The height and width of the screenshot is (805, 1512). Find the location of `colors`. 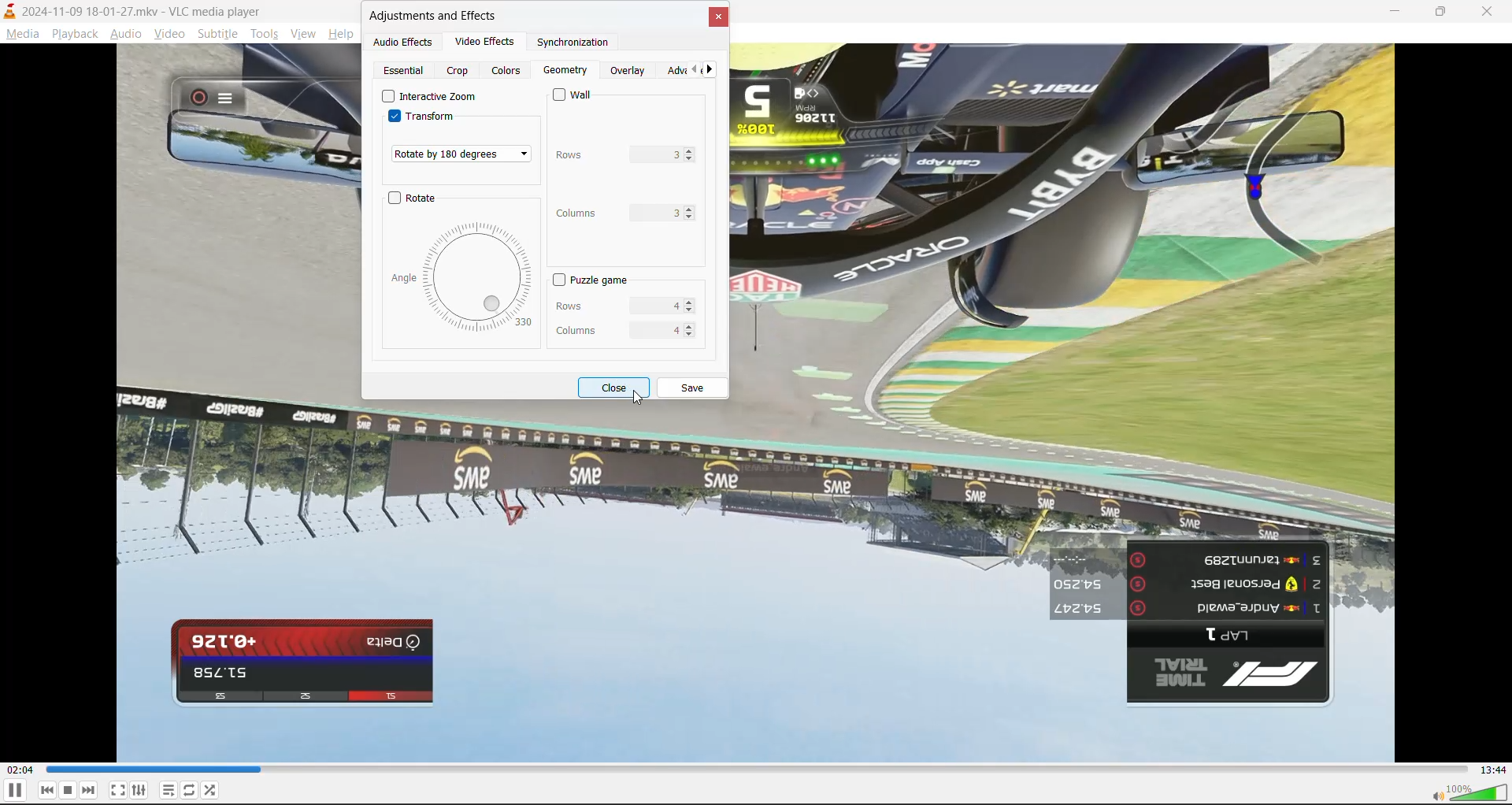

colors is located at coordinates (506, 72).